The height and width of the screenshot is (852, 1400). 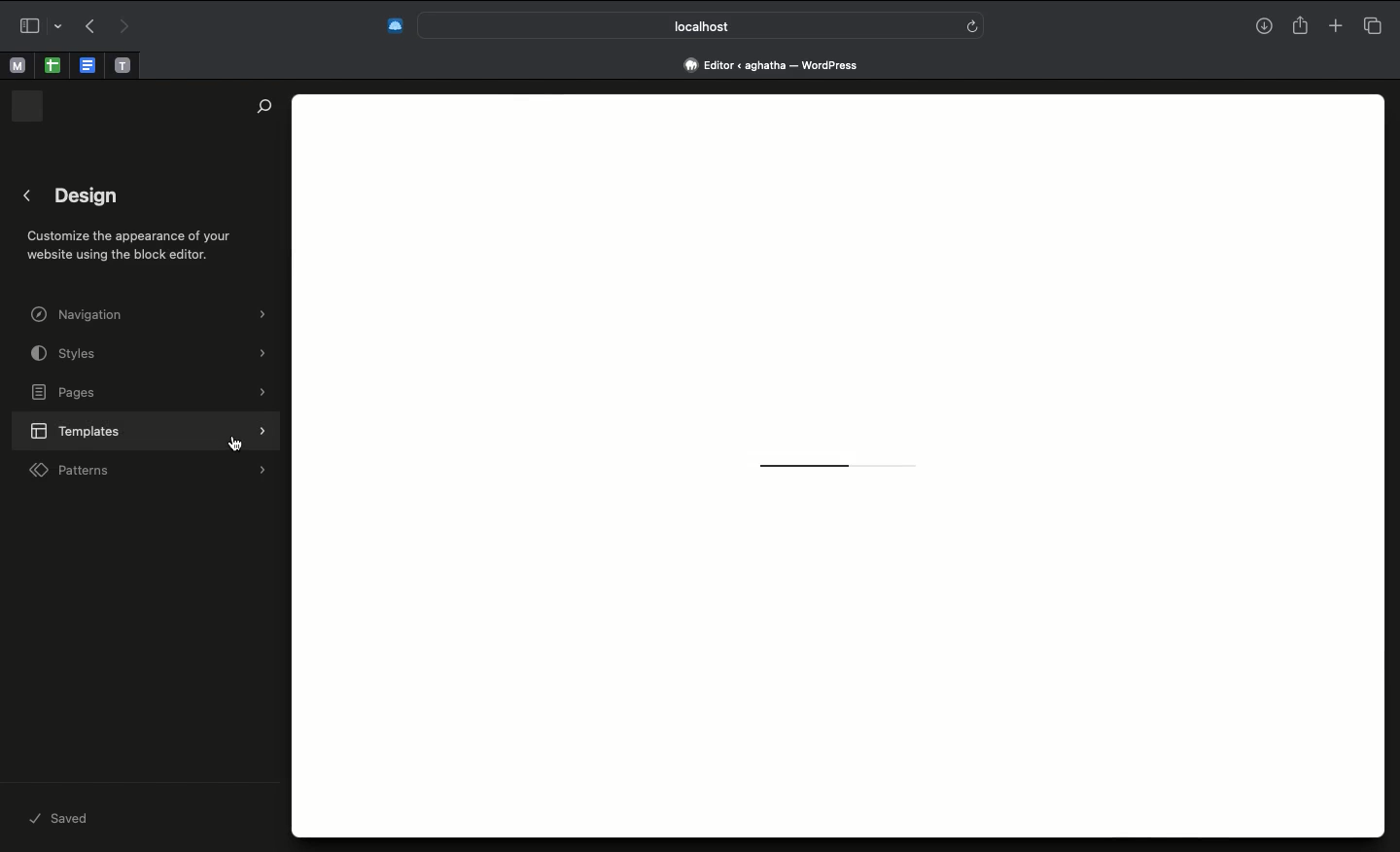 I want to click on Styles, so click(x=150, y=353).